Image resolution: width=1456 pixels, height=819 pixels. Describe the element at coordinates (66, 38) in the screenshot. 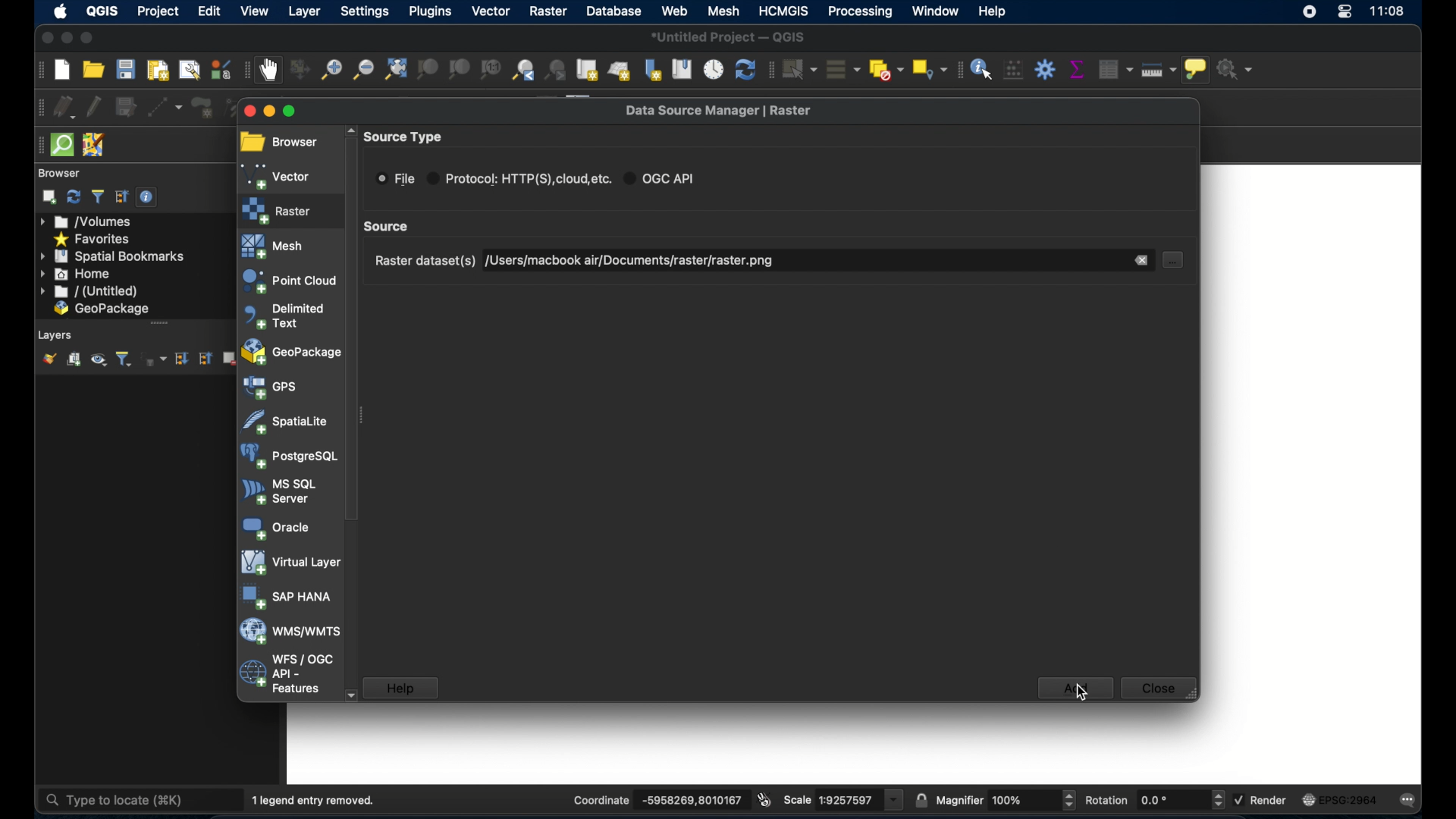

I see `minimize` at that location.